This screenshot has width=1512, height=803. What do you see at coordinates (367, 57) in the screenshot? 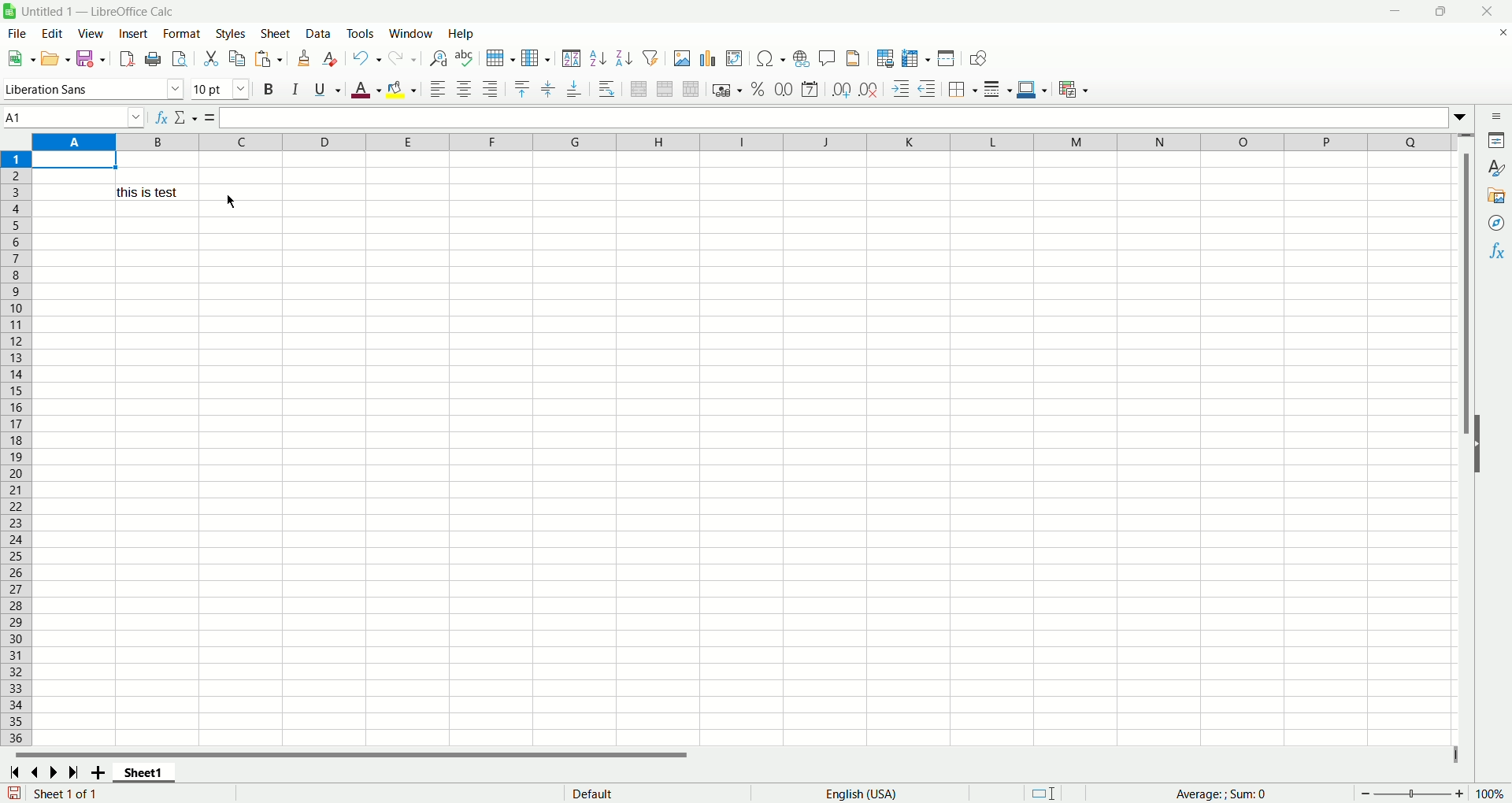
I see `undo` at bounding box center [367, 57].